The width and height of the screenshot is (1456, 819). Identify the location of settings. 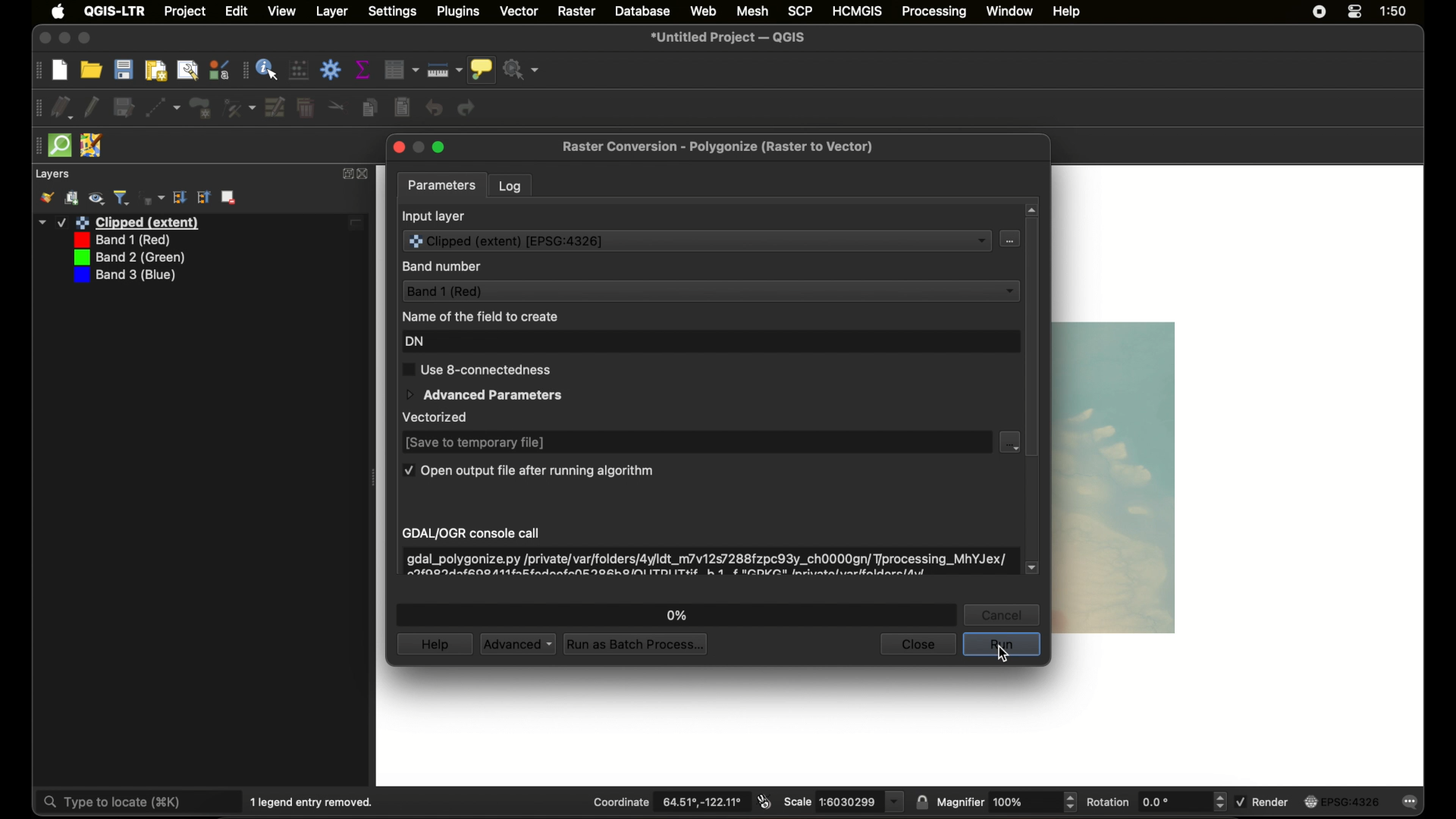
(393, 12).